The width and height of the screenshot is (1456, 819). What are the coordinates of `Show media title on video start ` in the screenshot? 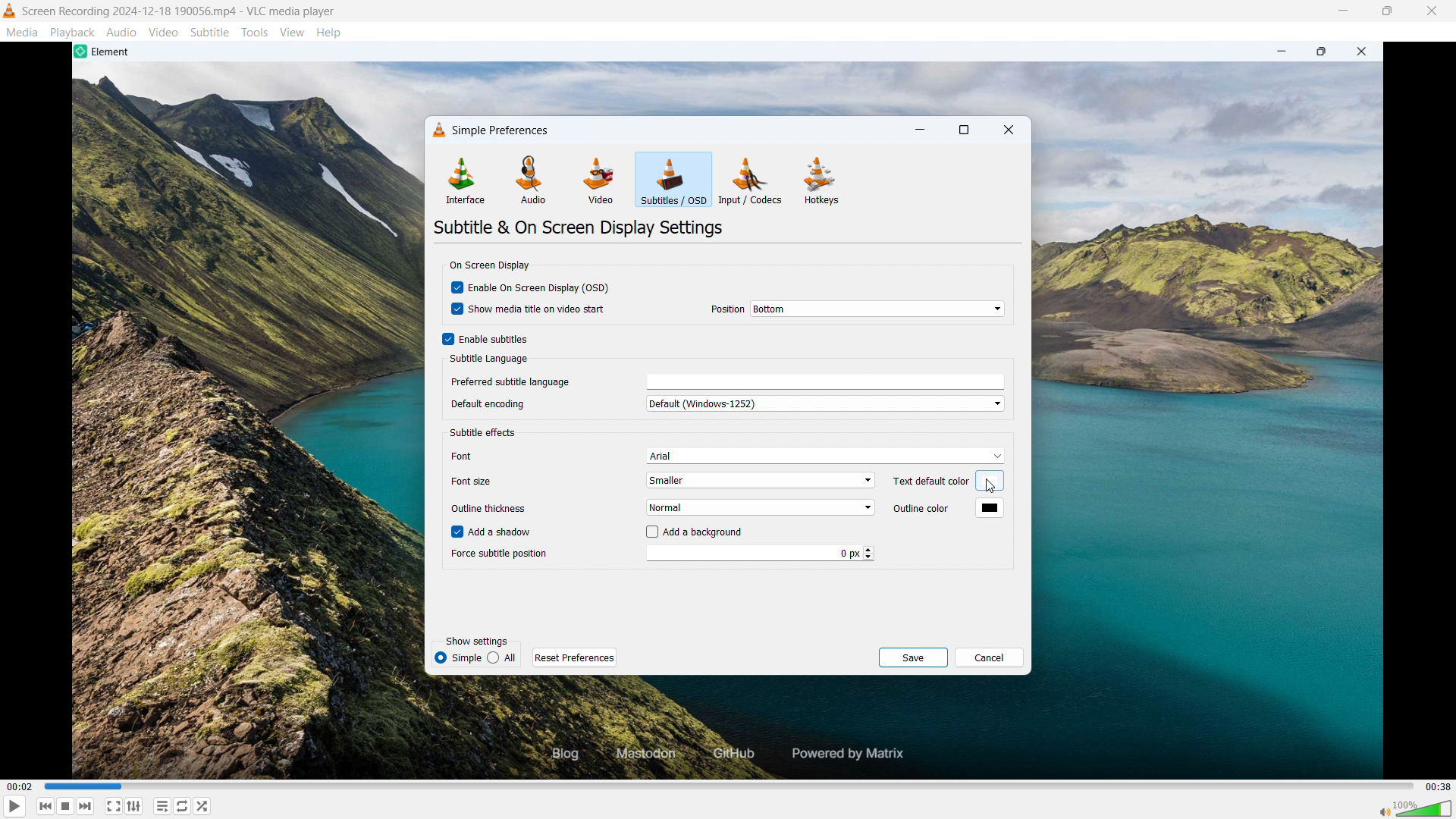 It's located at (538, 309).